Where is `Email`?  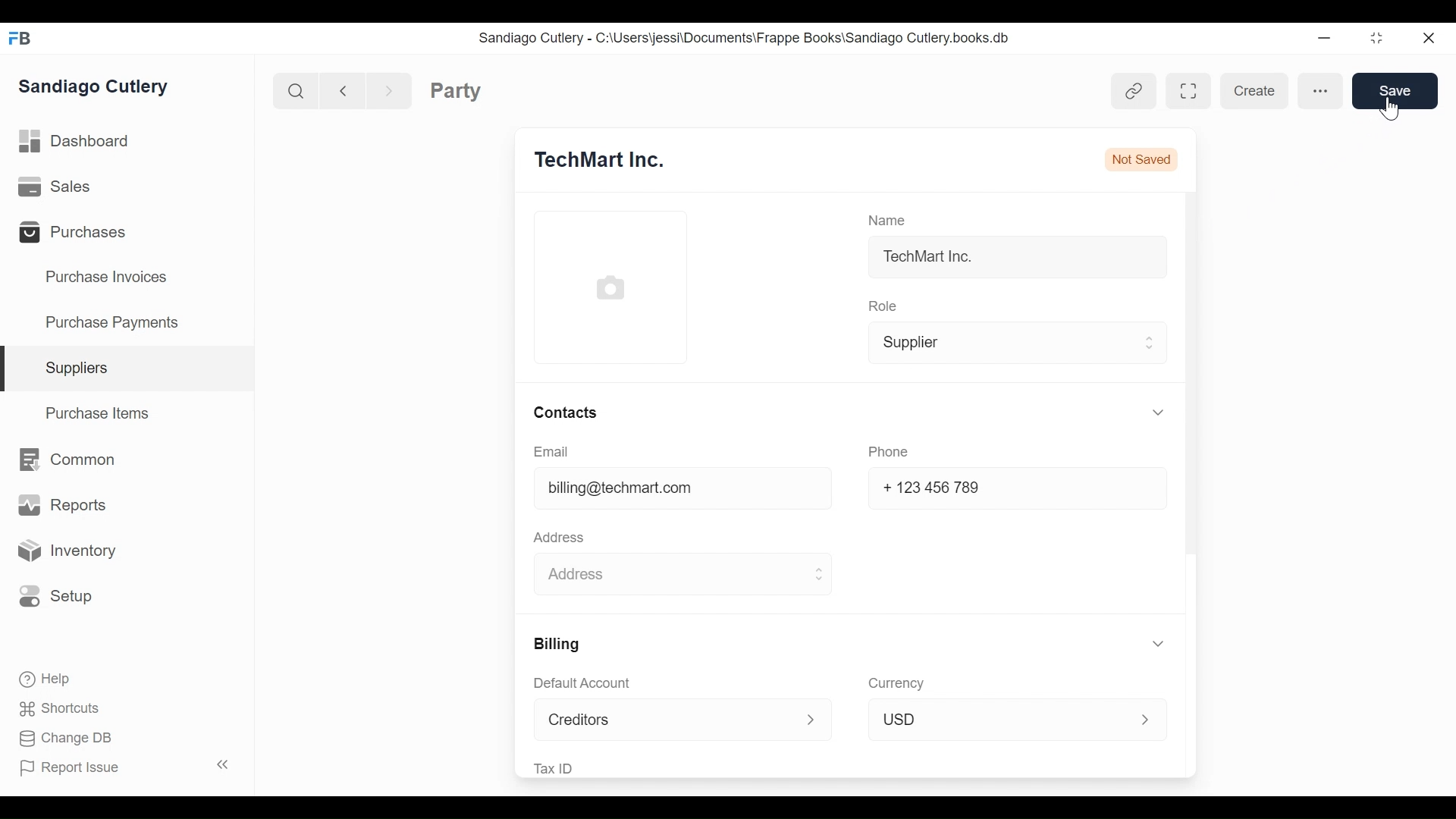
Email is located at coordinates (552, 452).